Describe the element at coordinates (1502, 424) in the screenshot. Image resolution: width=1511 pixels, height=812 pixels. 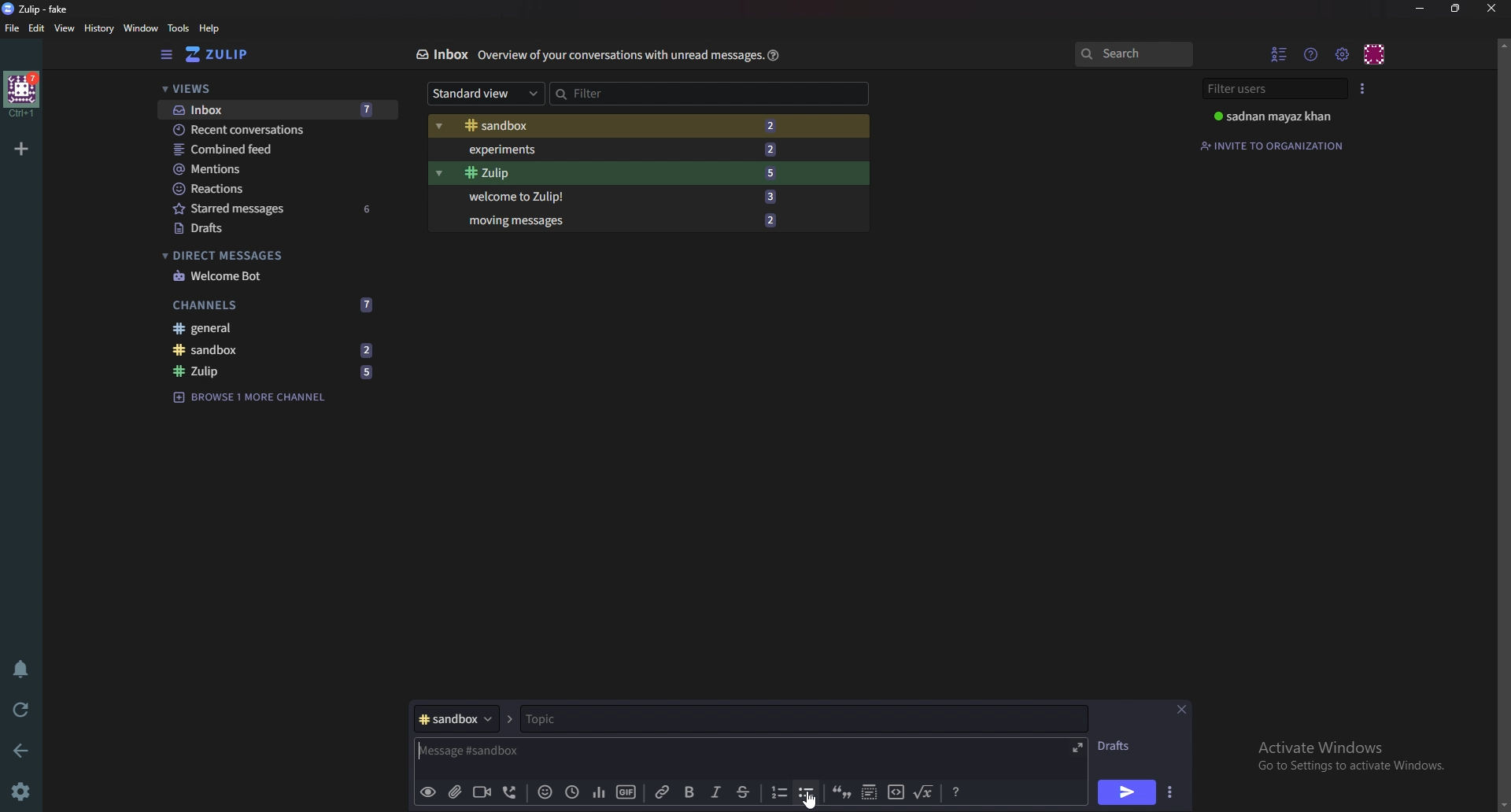
I see `Scroll bar` at that location.